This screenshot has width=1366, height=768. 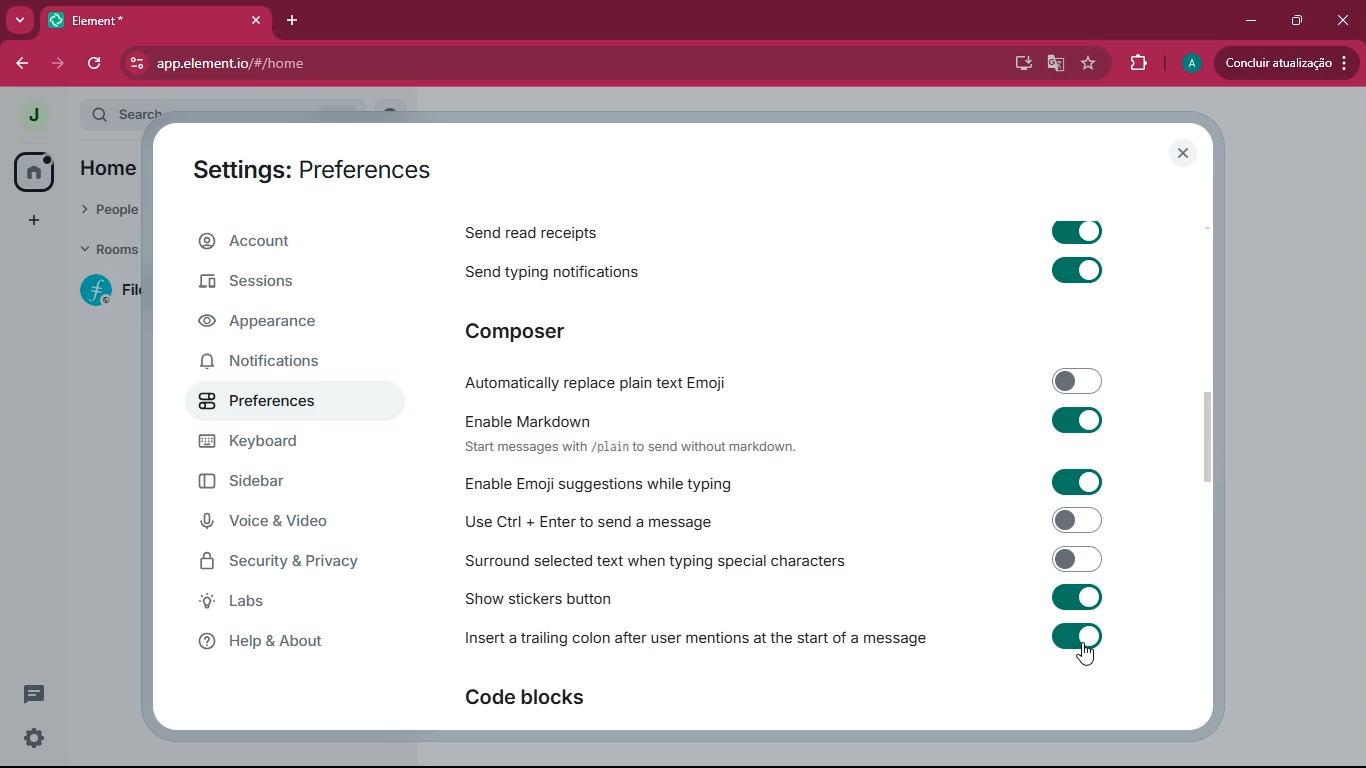 What do you see at coordinates (410, 64) in the screenshot?
I see `app.element.io/#/home` at bounding box center [410, 64].